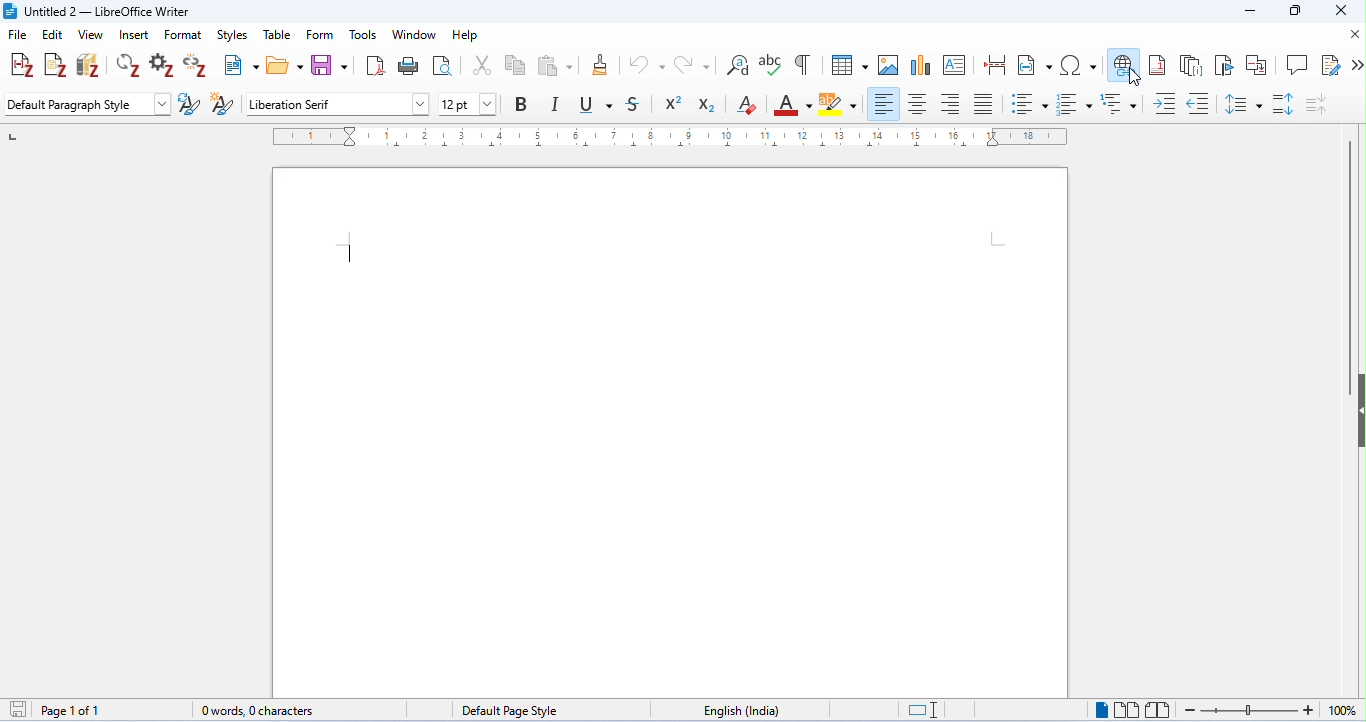 The width and height of the screenshot is (1366, 722). I want to click on insert bookmark, so click(1227, 65).